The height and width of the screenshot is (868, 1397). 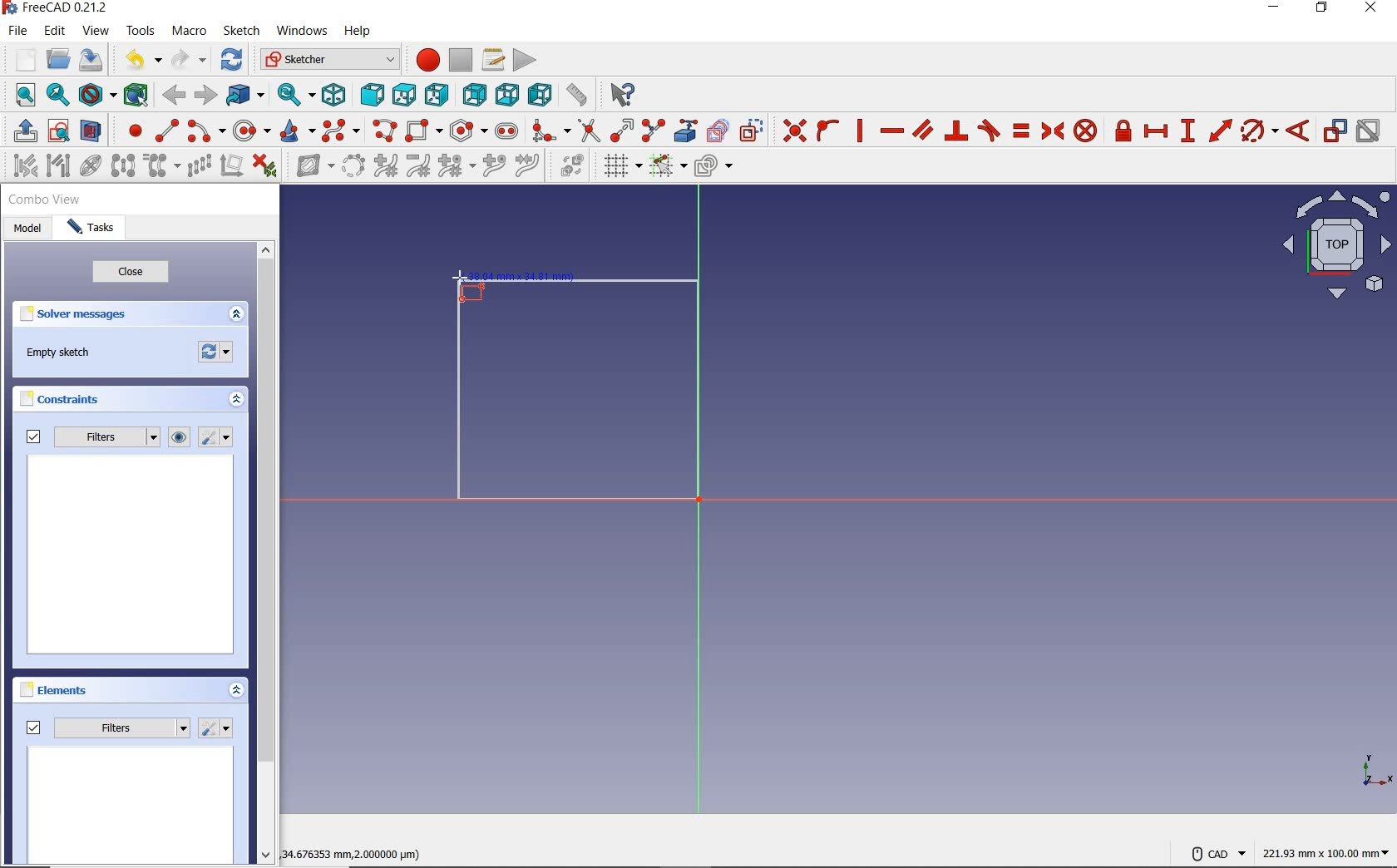 I want to click on settings, so click(x=217, y=728).